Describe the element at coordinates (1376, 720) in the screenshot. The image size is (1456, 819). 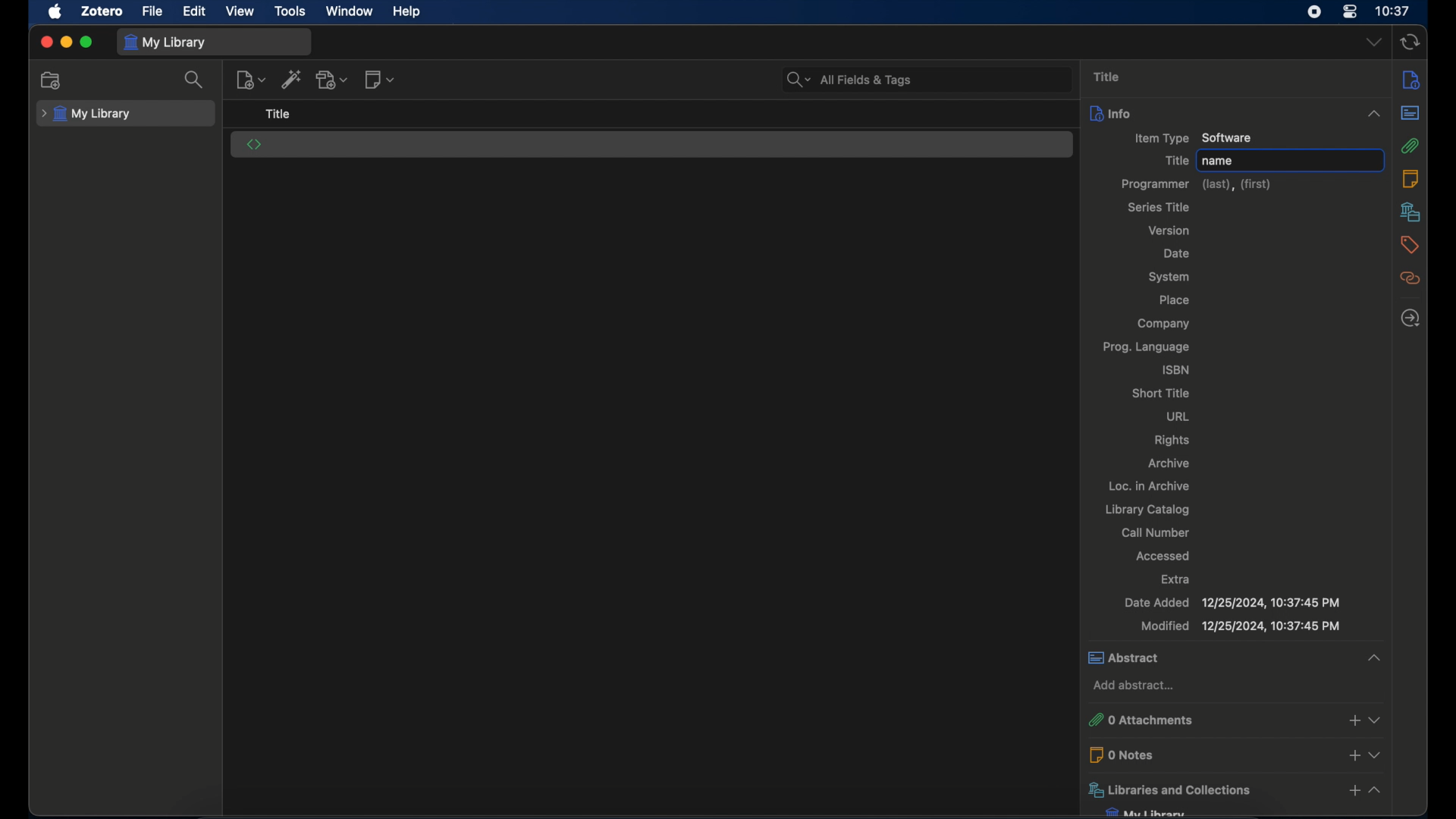
I see `dropdown` at that location.